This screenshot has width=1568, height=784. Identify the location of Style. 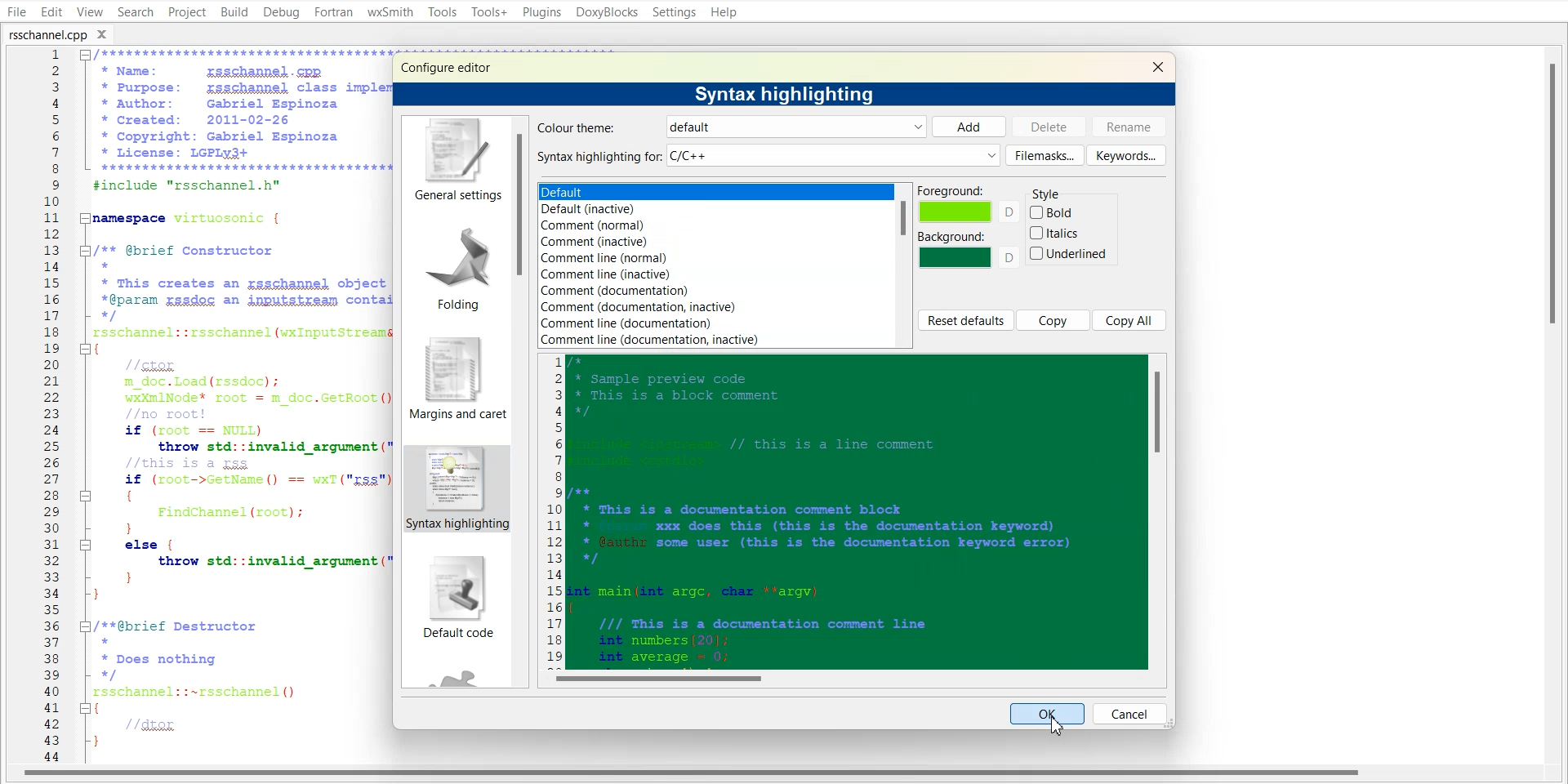
(1055, 190).